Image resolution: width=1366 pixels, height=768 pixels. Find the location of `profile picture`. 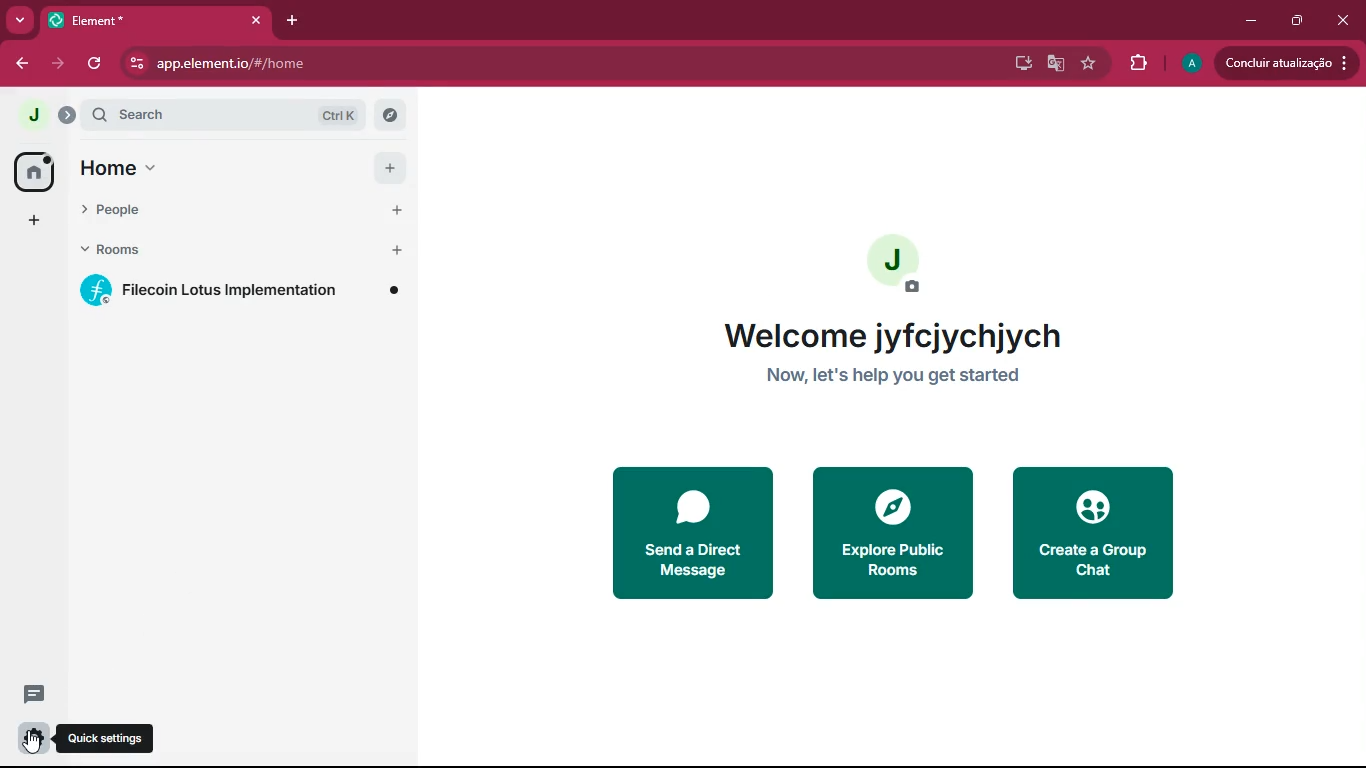

profile picture is located at coordinates (906, 264).